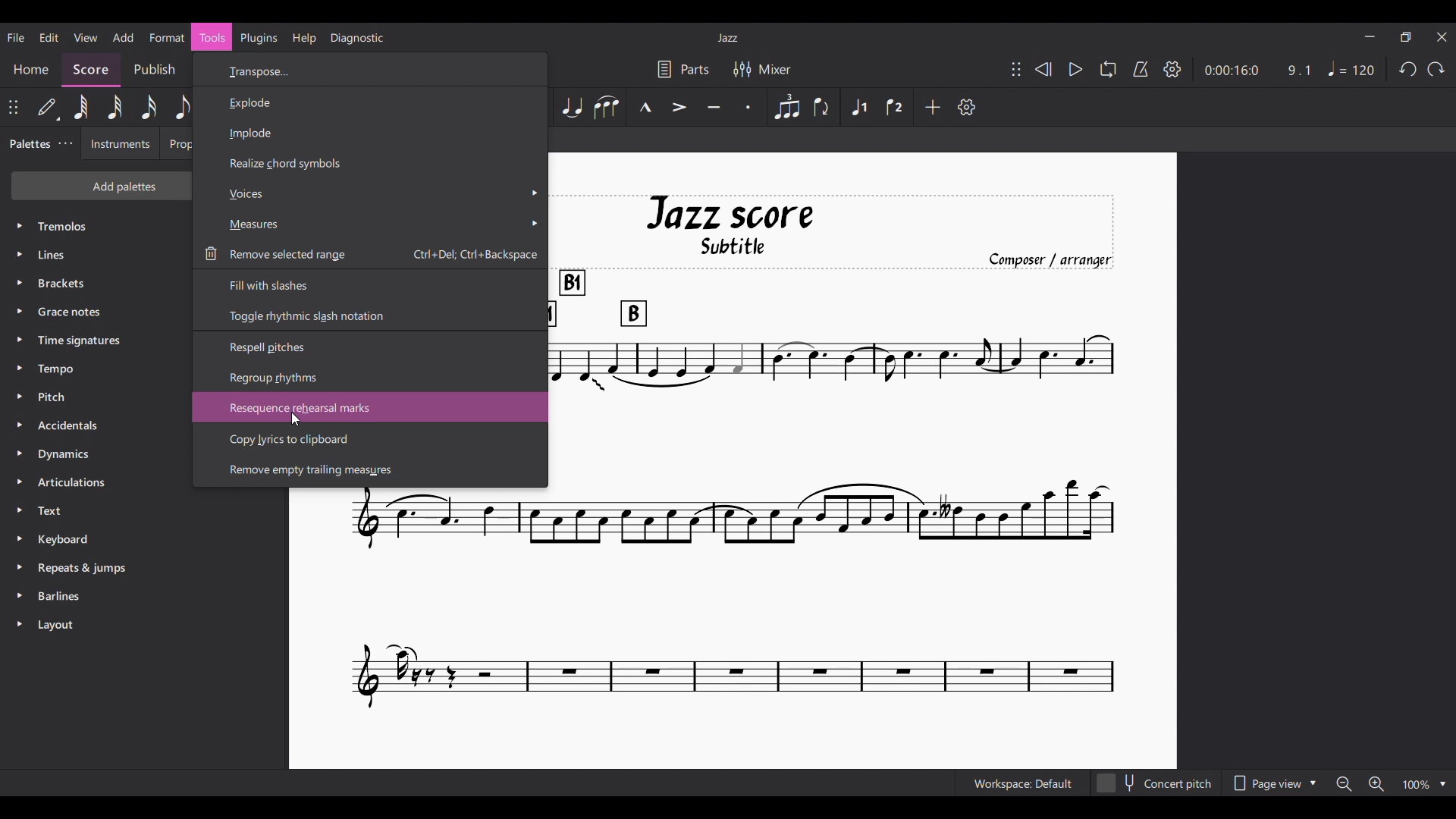 The image size is (1456, 819). I want to click on Properties, so click(176, 143).